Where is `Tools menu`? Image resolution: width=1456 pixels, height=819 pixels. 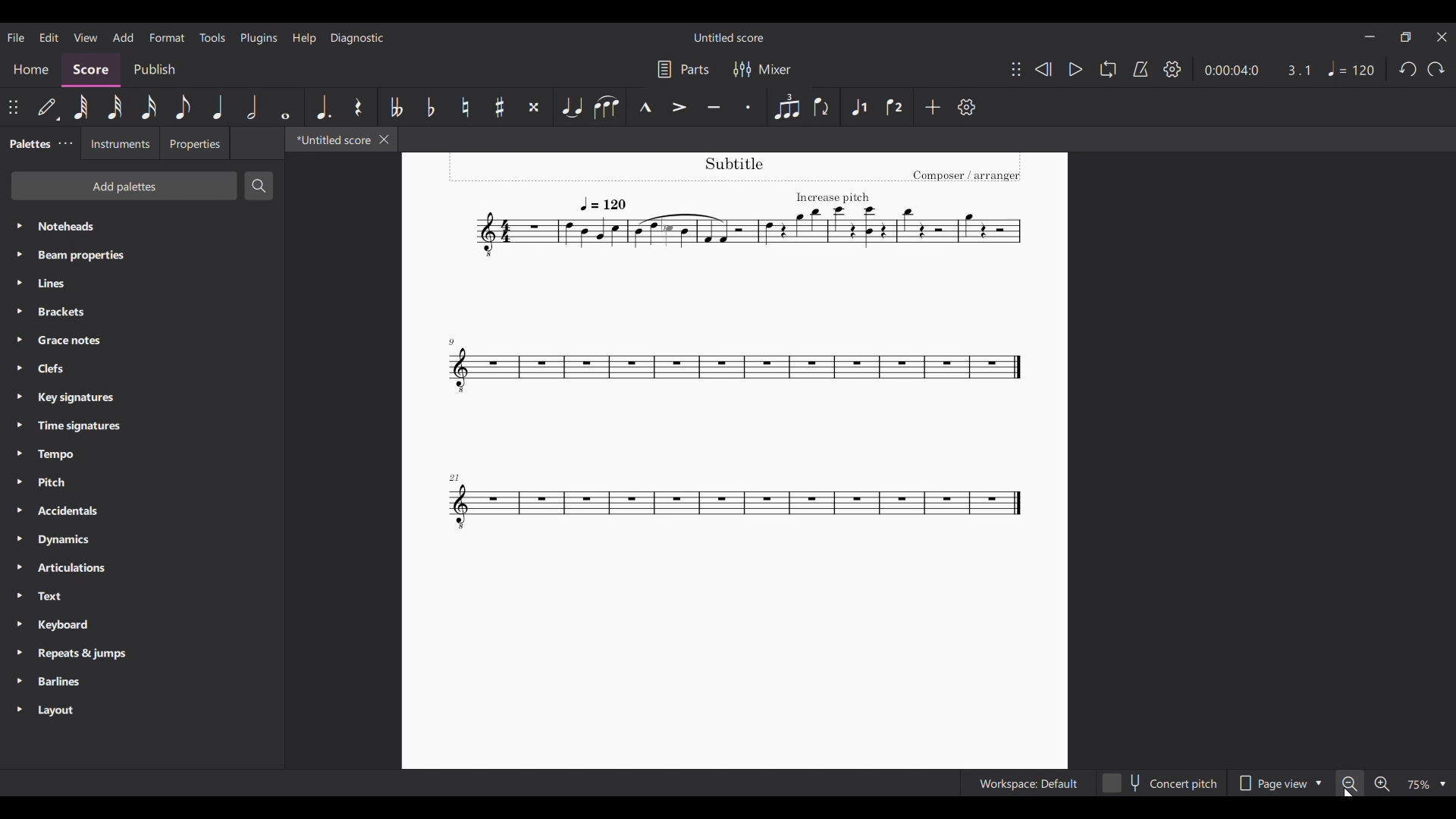 Tools menu is located at coordinates (213, 38).